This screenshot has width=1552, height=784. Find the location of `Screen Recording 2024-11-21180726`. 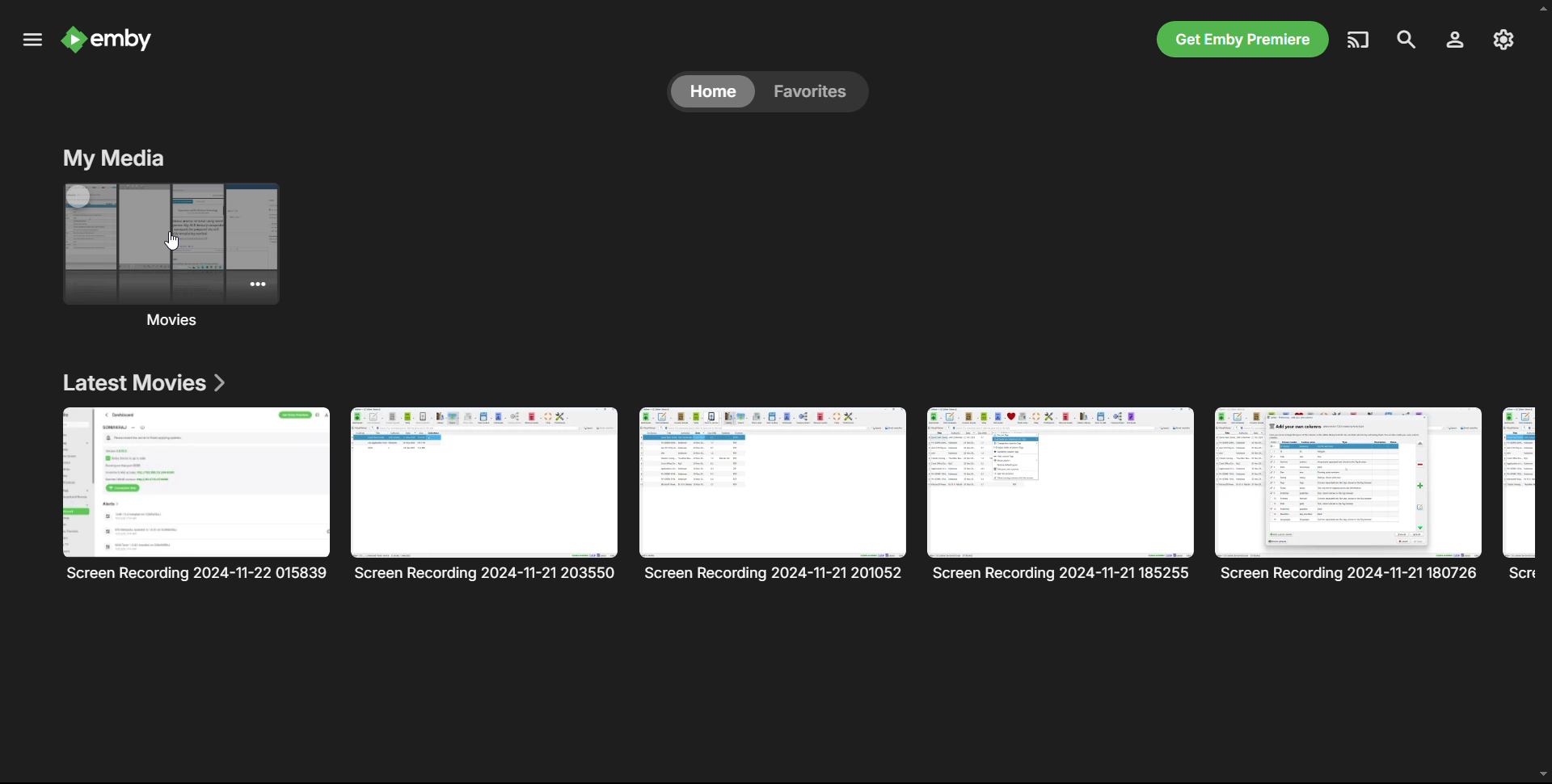

Screen Recording 2024-11-21180726 is located at coordinates (1349, 494).